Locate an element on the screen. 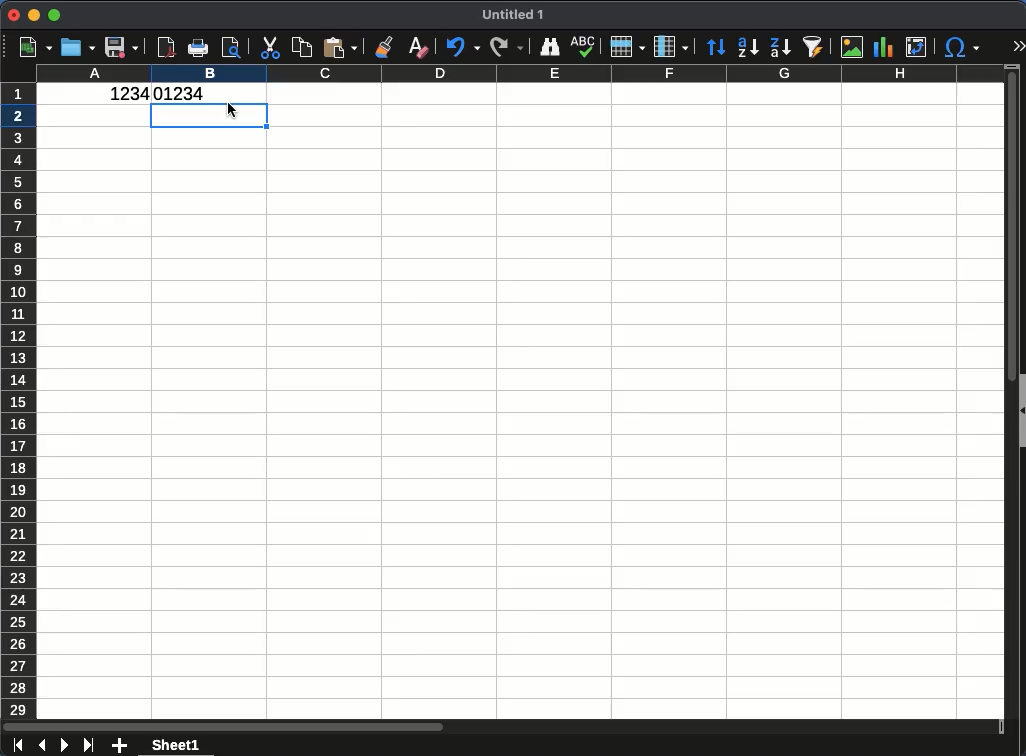 The image size is (1026, 756). special characters is located at coordinates (959, 47).